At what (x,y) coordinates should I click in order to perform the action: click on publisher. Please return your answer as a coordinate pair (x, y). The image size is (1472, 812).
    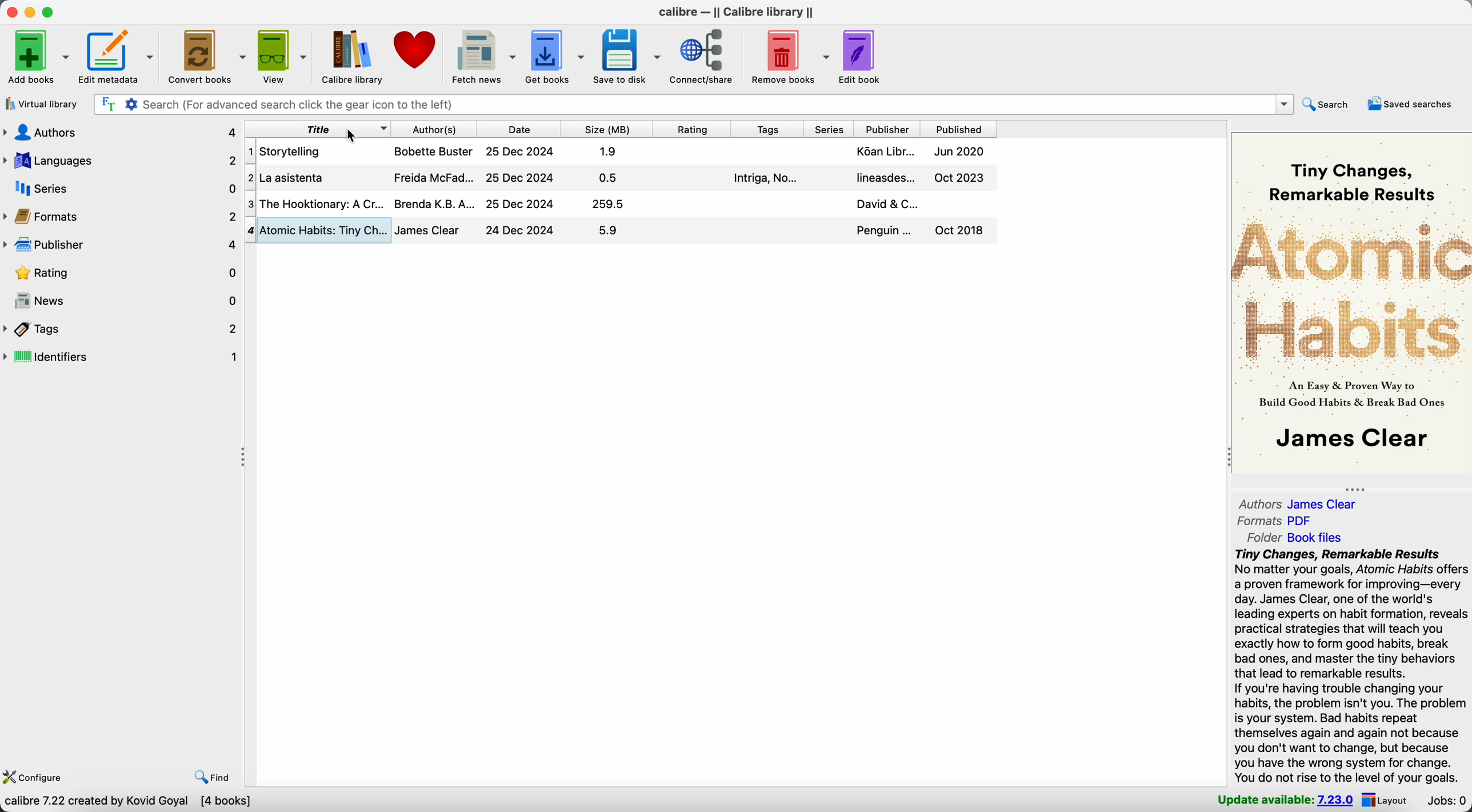
    Looking at the image, I should click on (889, 128).